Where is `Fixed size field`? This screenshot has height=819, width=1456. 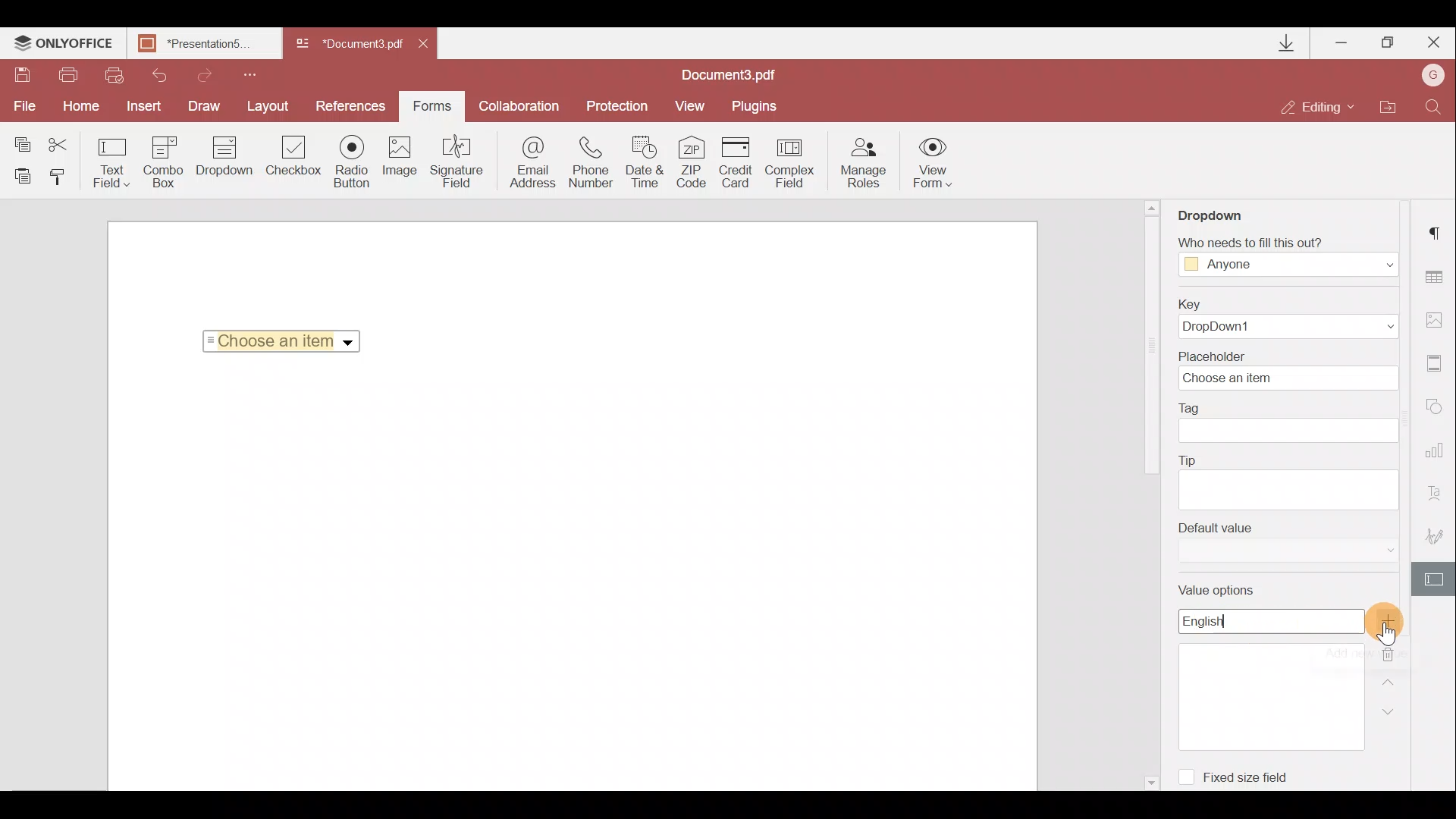
Fixed size field is located at coordinates (1241, 774).